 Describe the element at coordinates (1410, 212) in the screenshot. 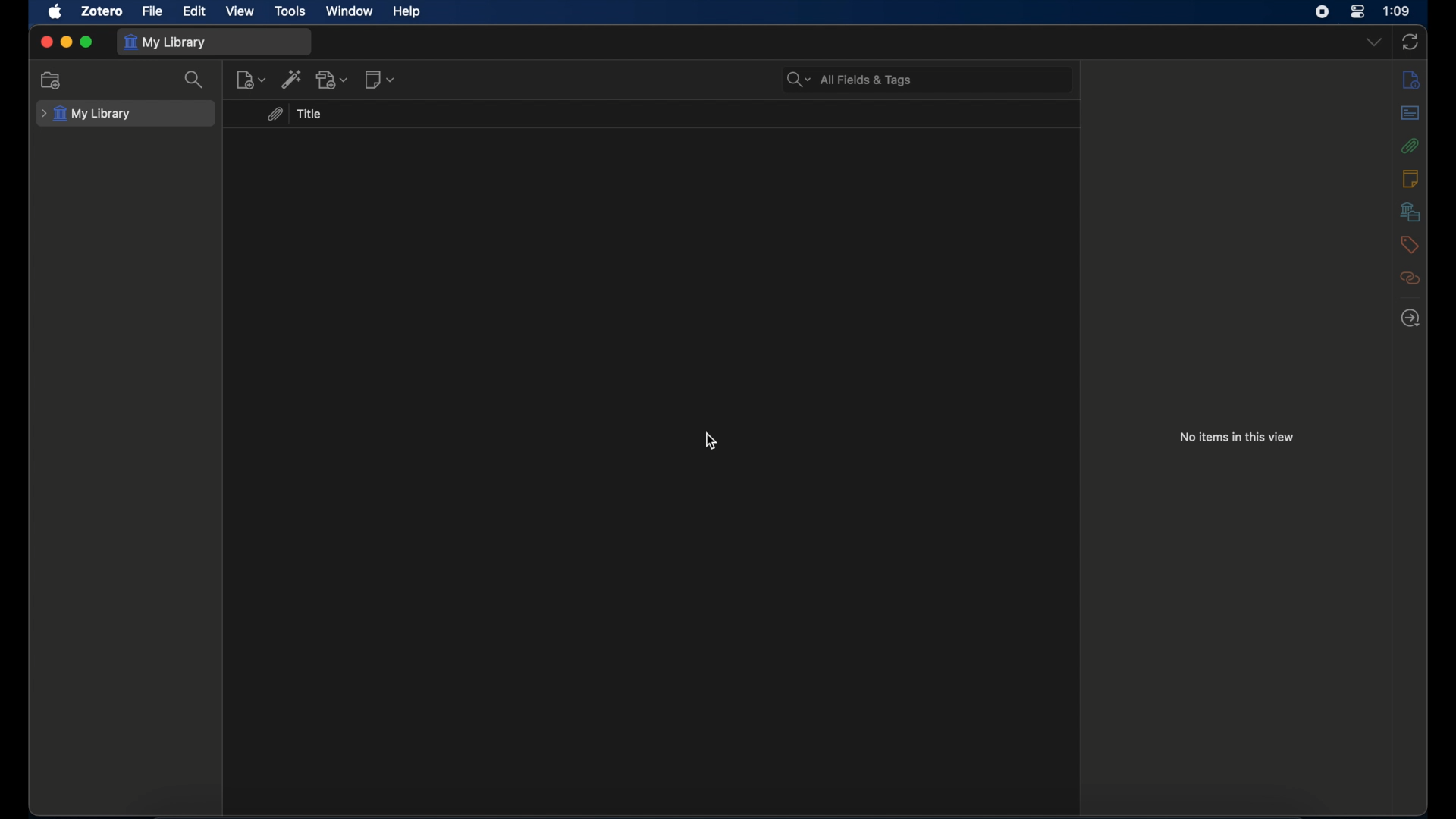

I see `libraries` at that location.